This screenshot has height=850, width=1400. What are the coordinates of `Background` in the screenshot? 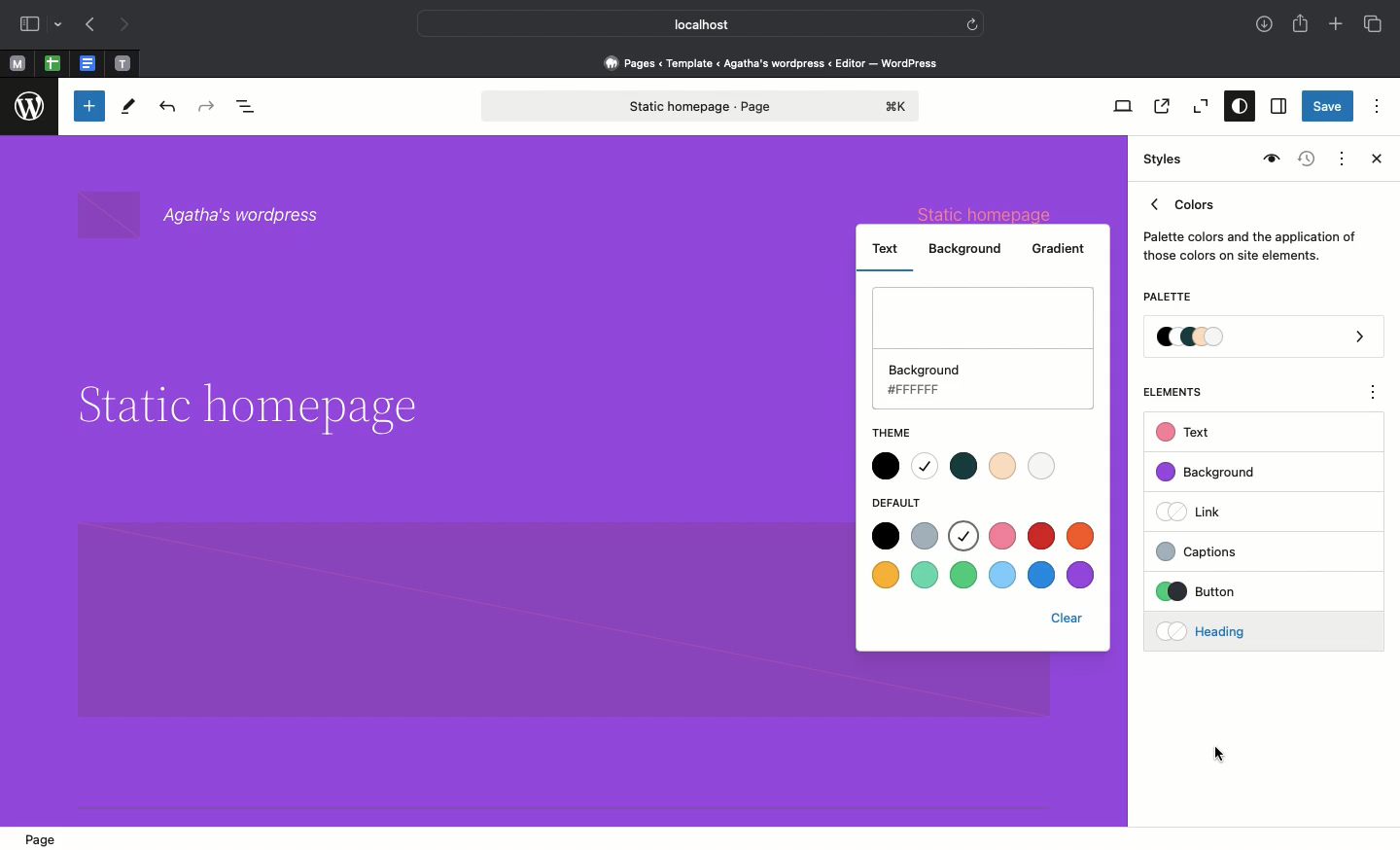 It's located at (969, 248).